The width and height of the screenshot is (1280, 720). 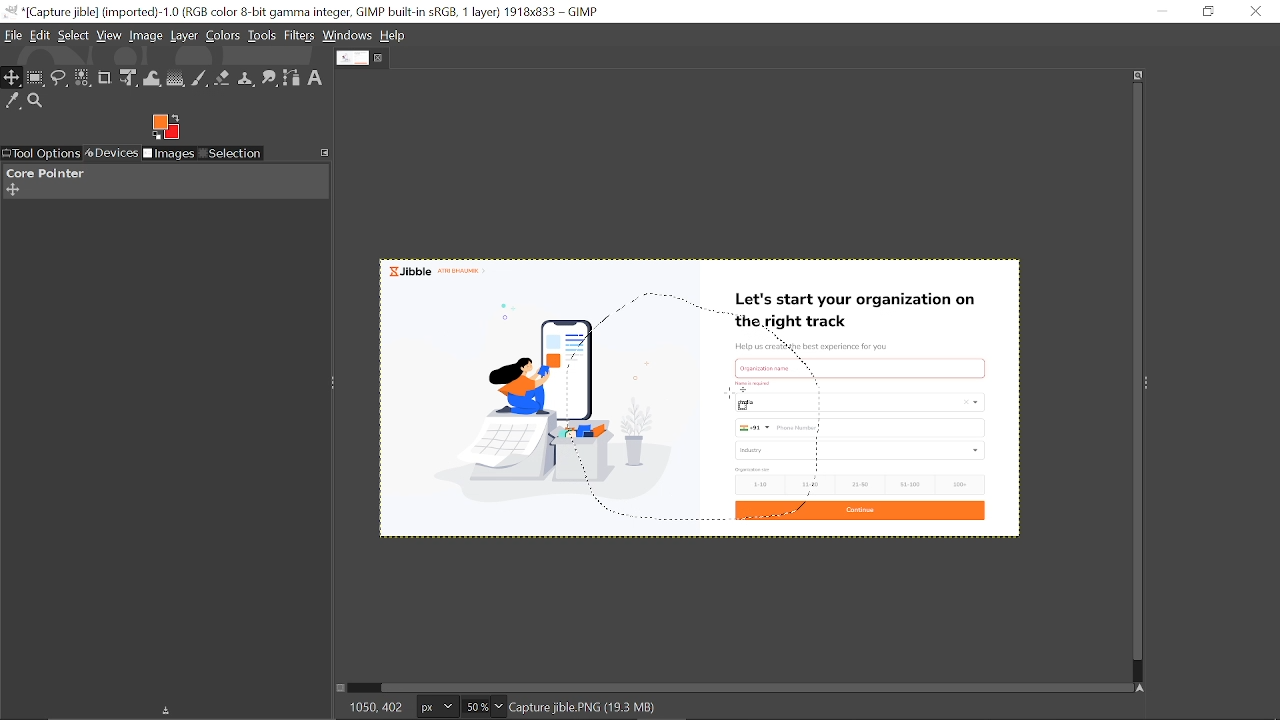 I want to click on 100+, so click(x=958, y=483).